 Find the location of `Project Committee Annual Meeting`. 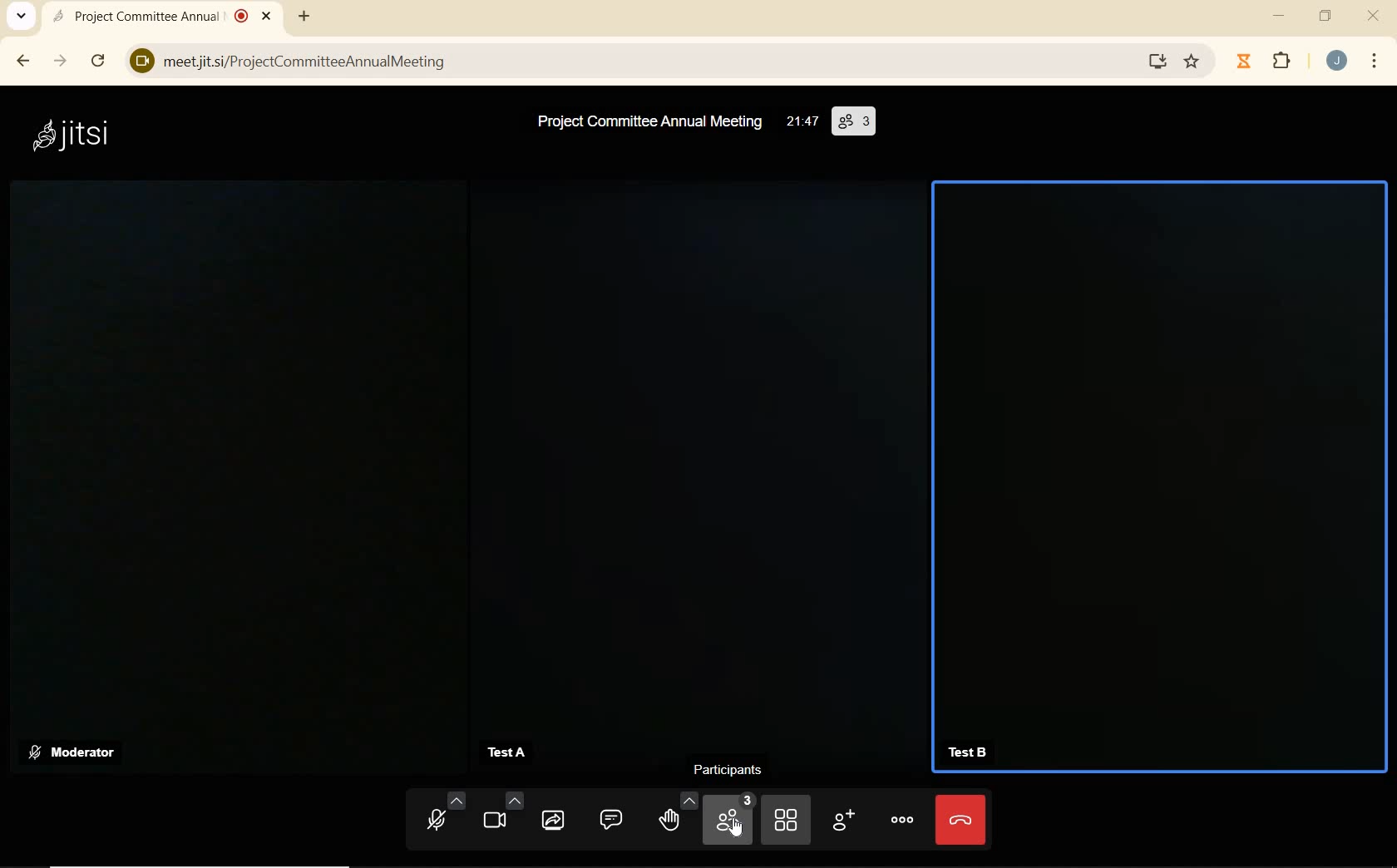

Project Committee Annual Meeting is located at coordinates (647, 123).